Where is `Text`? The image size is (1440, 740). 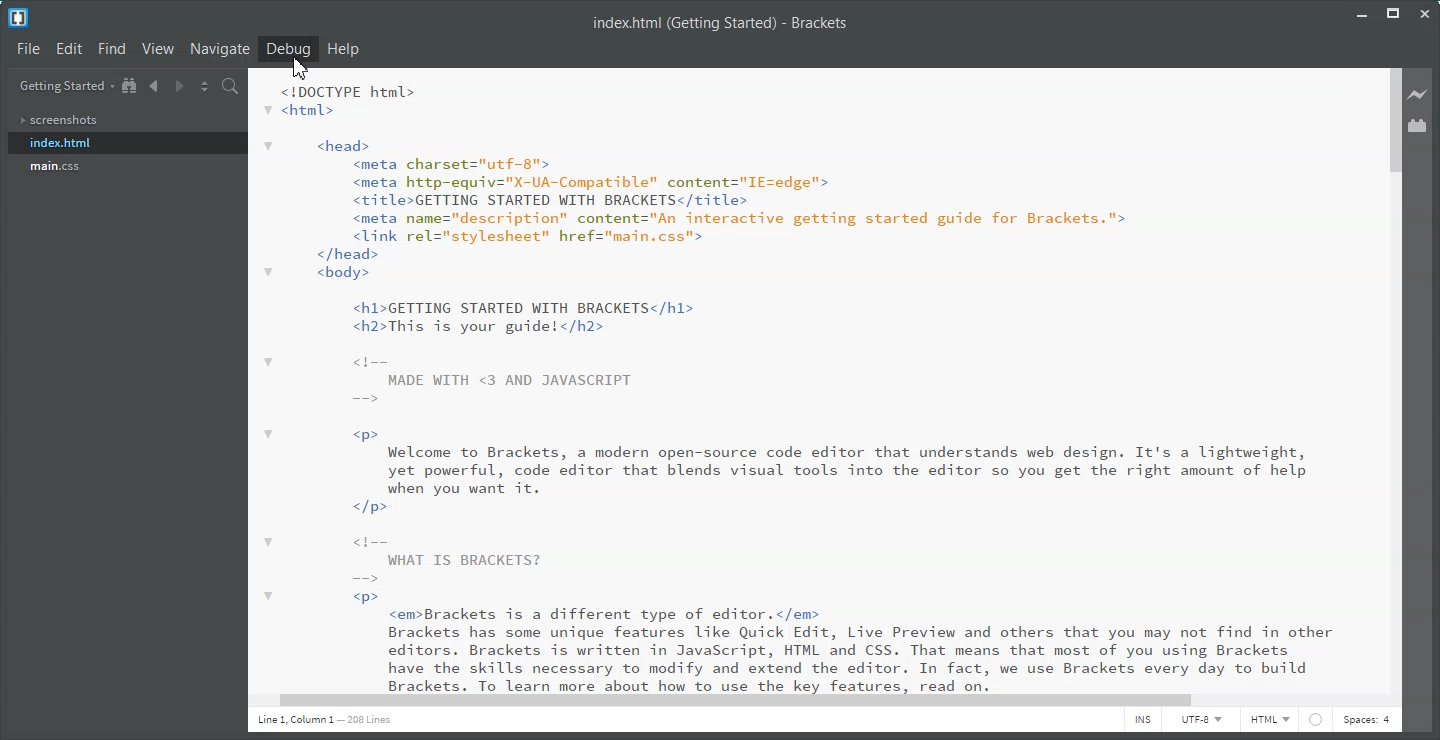 Text is located at coordinates (725, 24).